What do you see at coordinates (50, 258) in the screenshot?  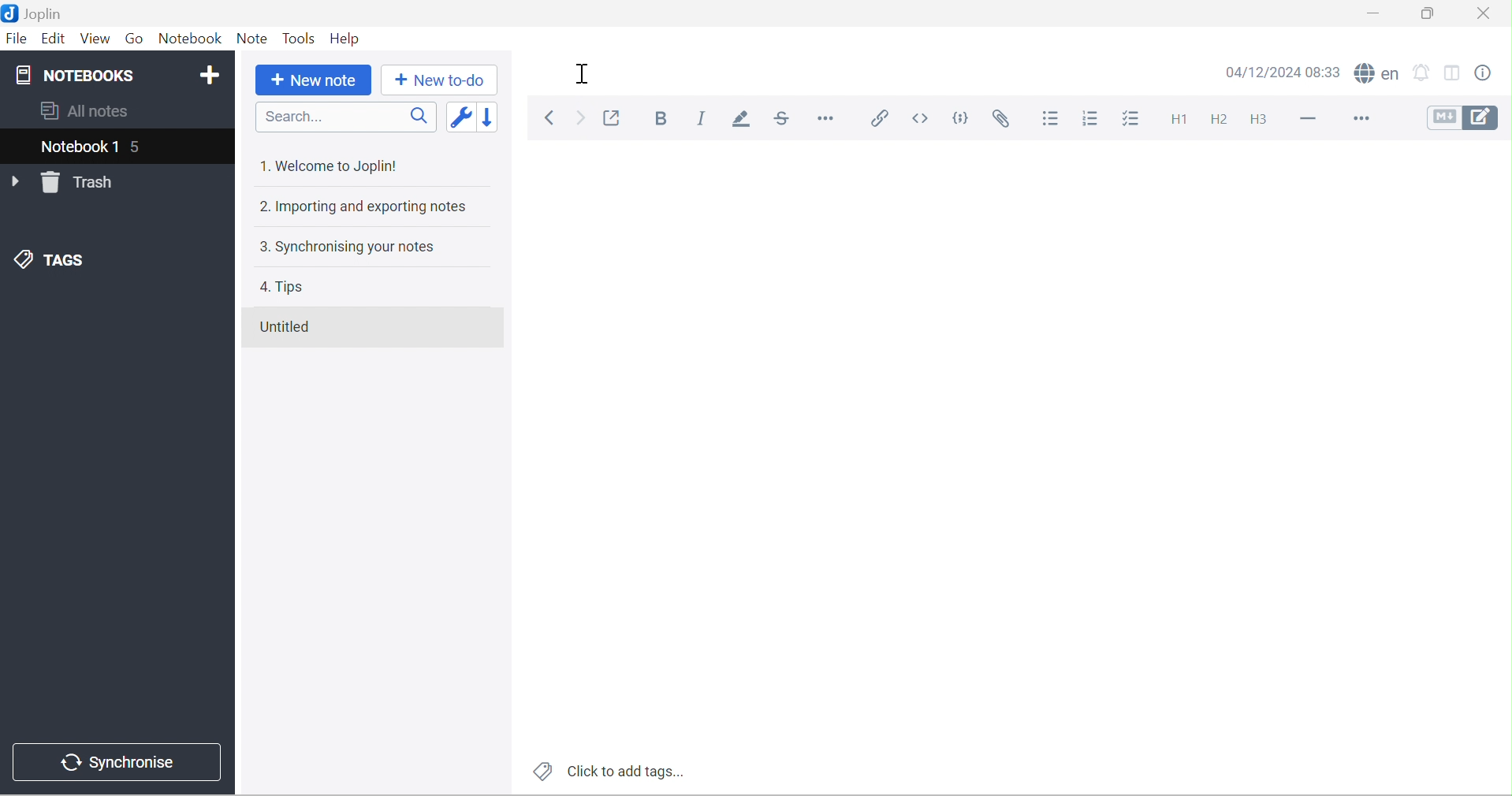 I see `TAGS` at bounding box center [50, 258].